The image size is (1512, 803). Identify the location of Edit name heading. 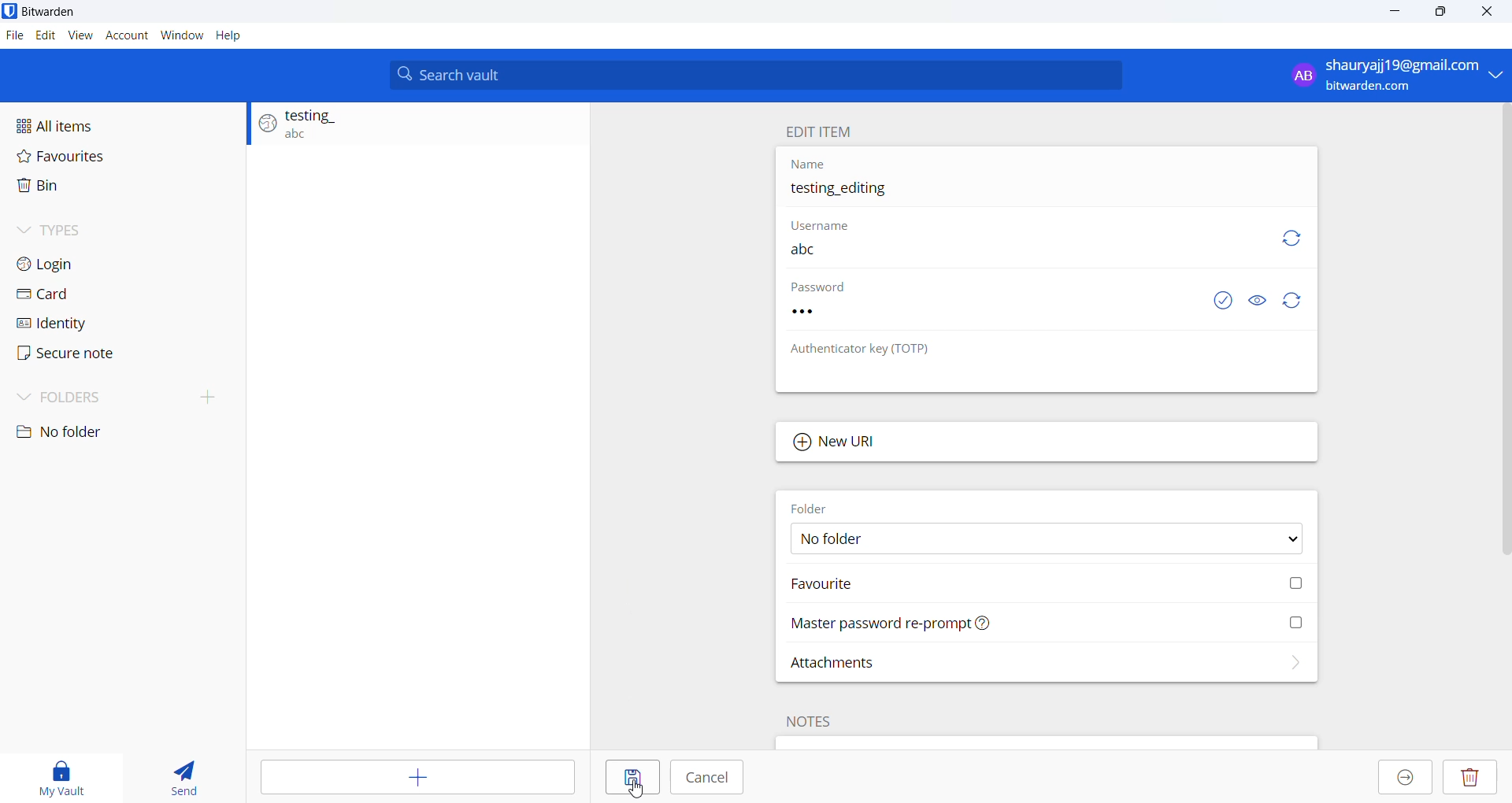
(823, 132).